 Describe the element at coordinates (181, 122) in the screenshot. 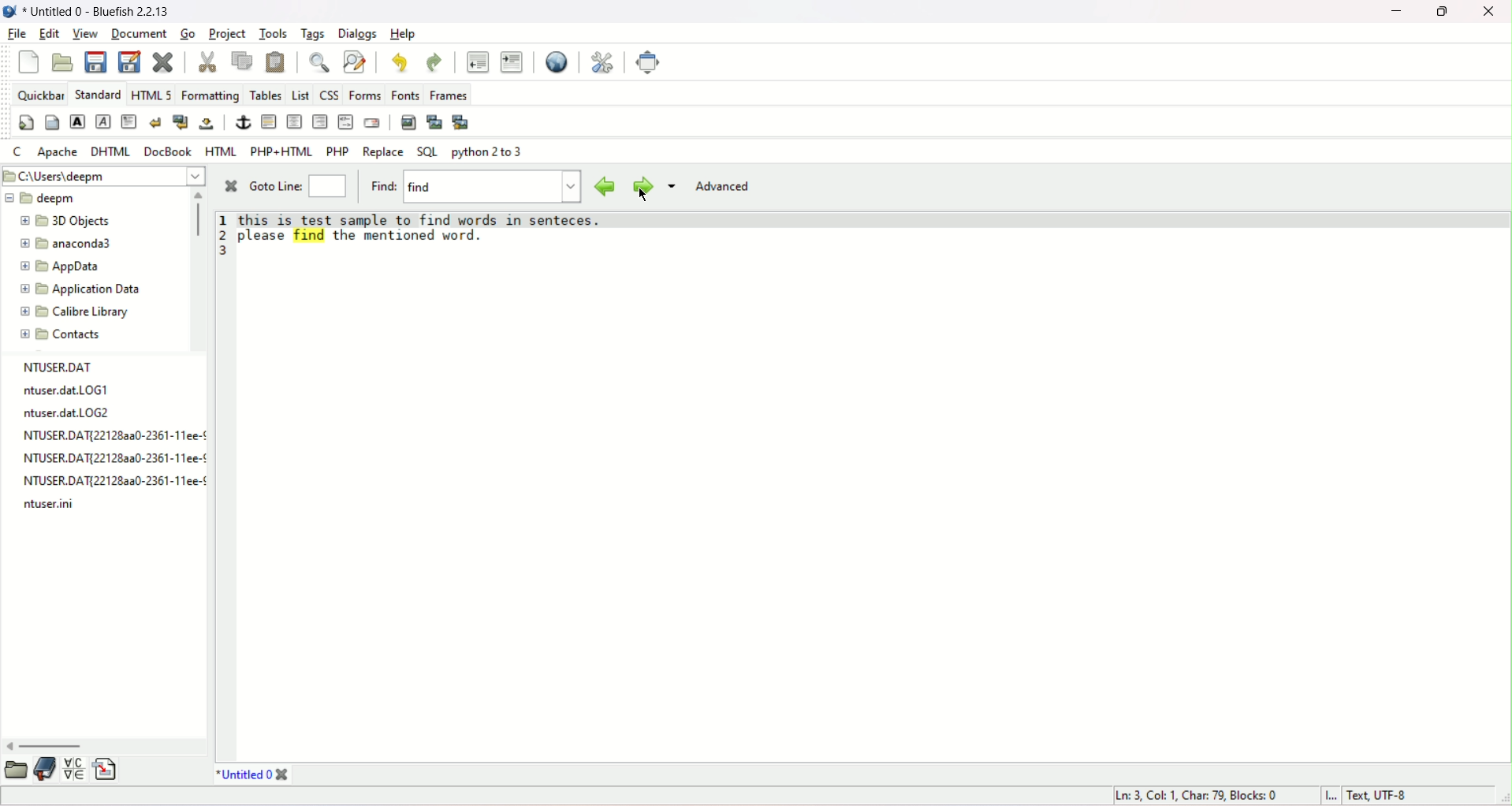

I see `break and clear` at that location.